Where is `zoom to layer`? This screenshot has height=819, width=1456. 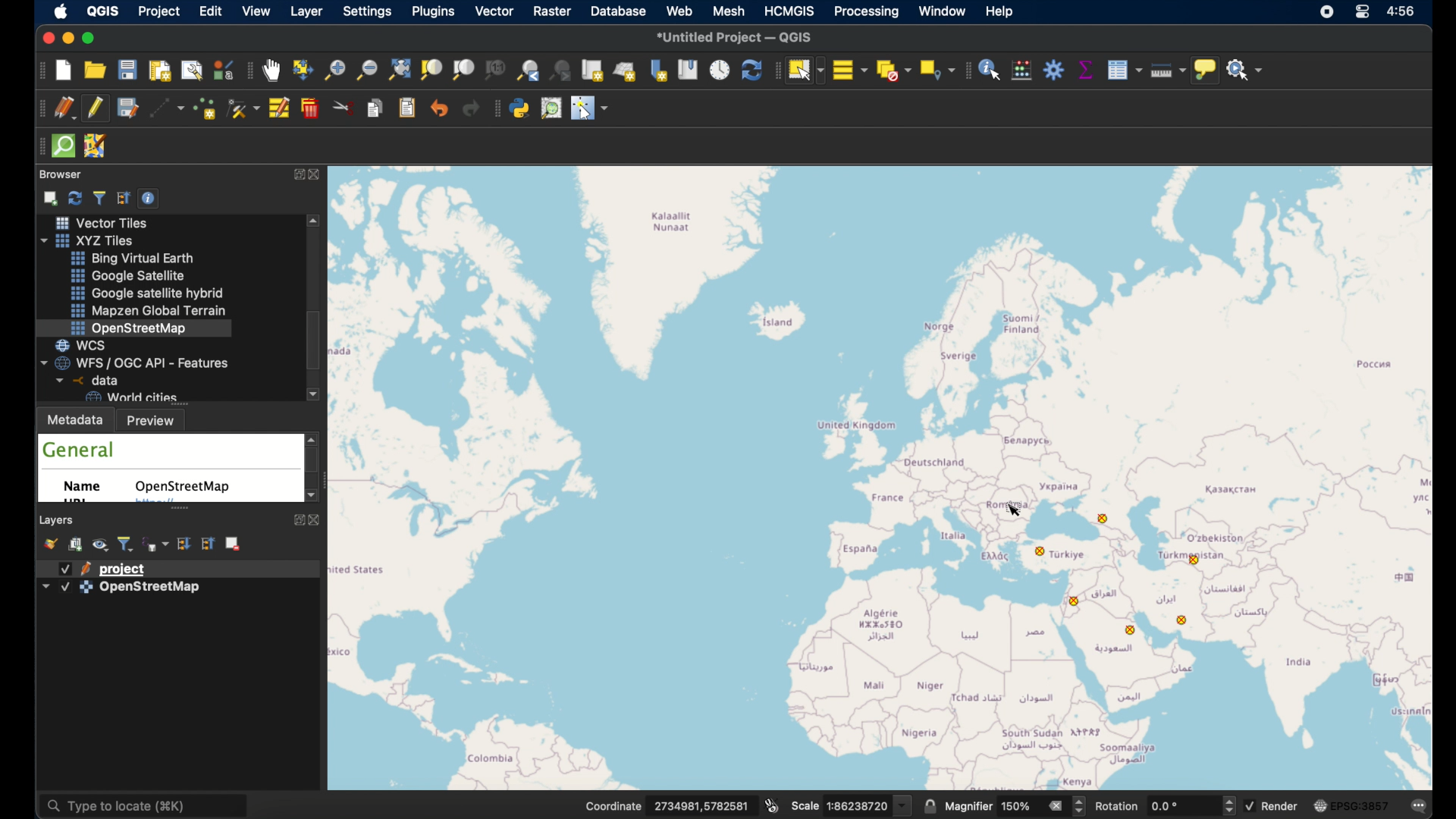
zoom to layer is located at coordinates (463, 71).